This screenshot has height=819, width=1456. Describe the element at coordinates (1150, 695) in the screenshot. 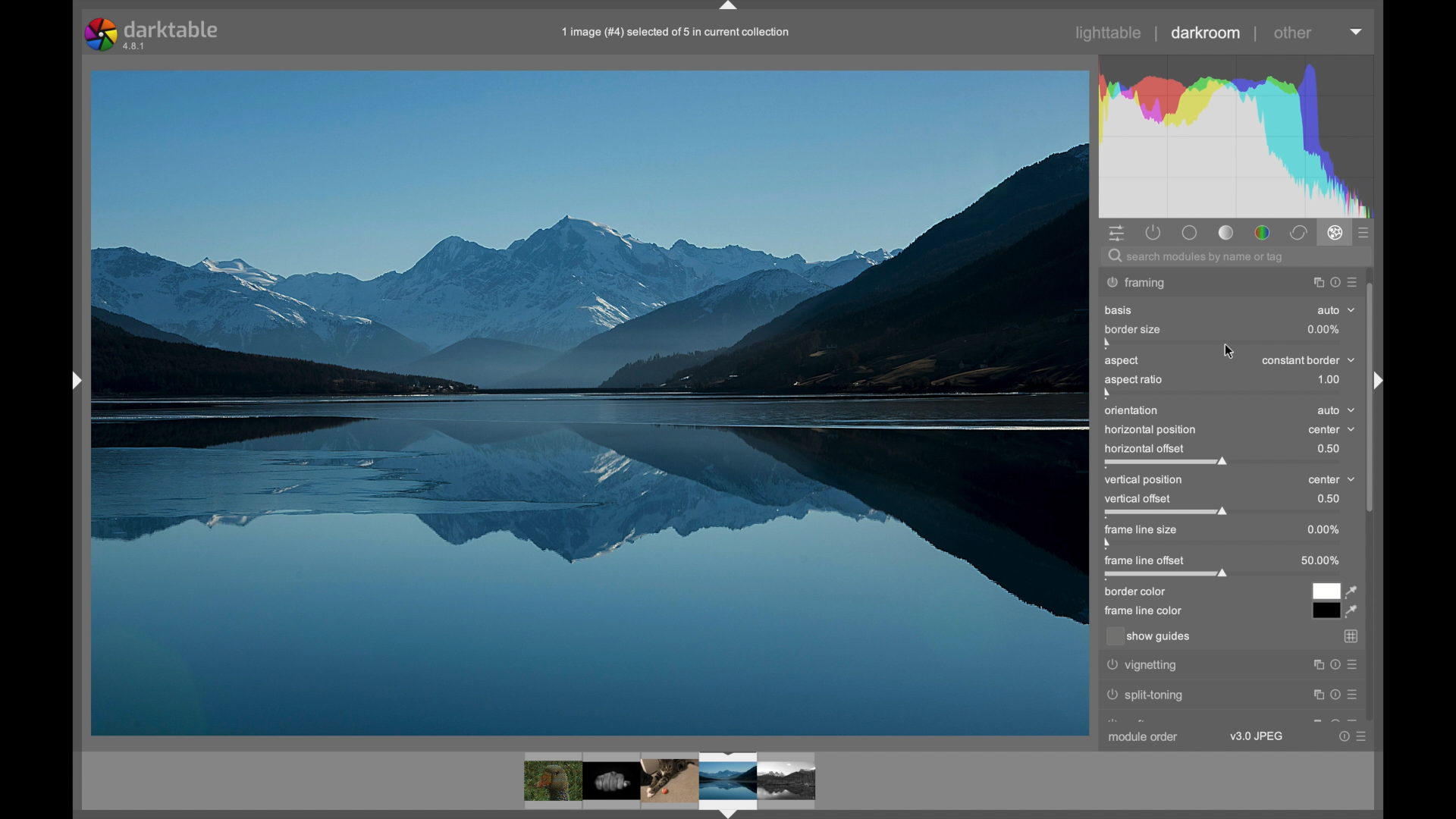

I see `split toning` at that location.